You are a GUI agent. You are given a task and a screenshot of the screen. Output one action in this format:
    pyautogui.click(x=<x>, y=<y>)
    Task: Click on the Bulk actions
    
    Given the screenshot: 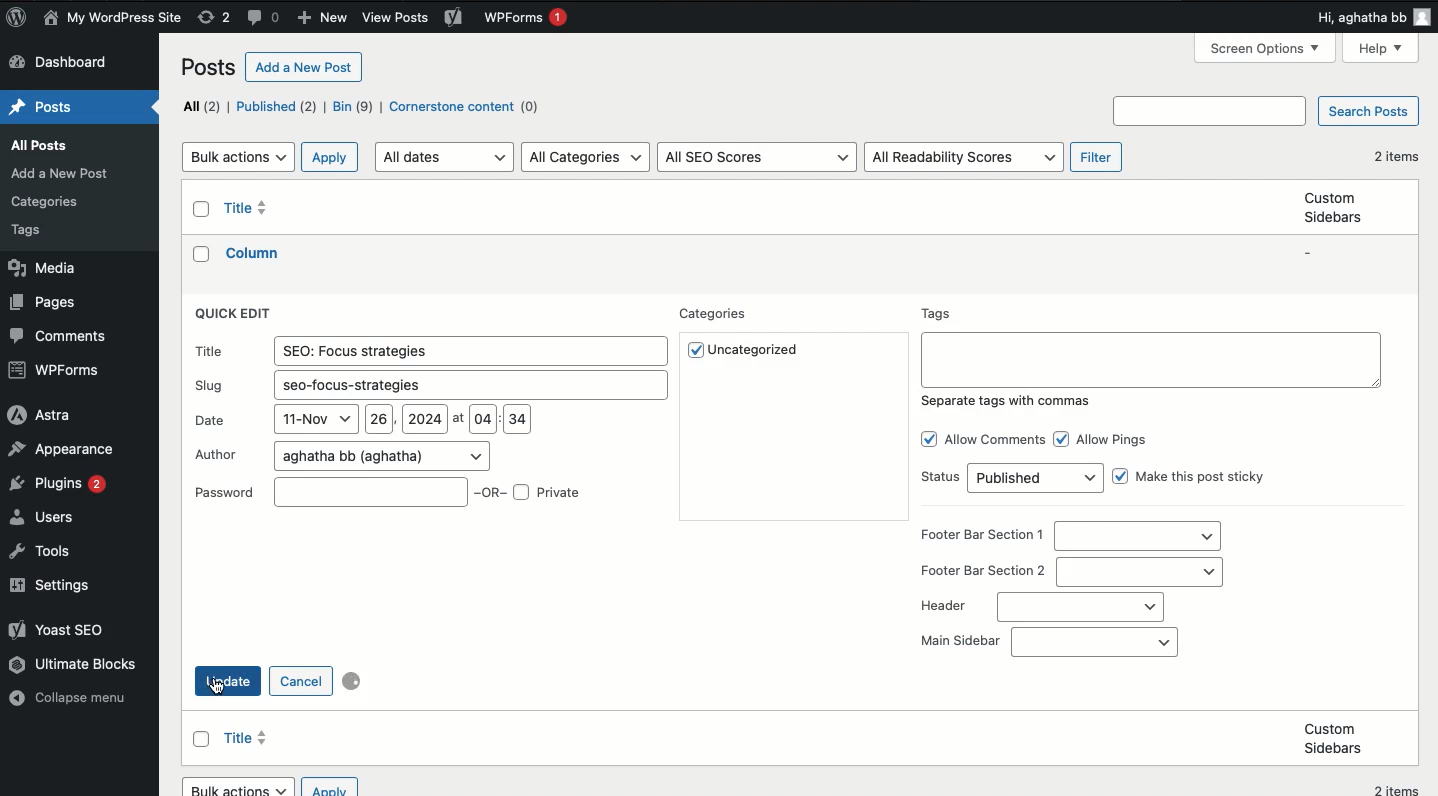 What is the action you would take?
    pyautogui.click(x=238, y=157)
    